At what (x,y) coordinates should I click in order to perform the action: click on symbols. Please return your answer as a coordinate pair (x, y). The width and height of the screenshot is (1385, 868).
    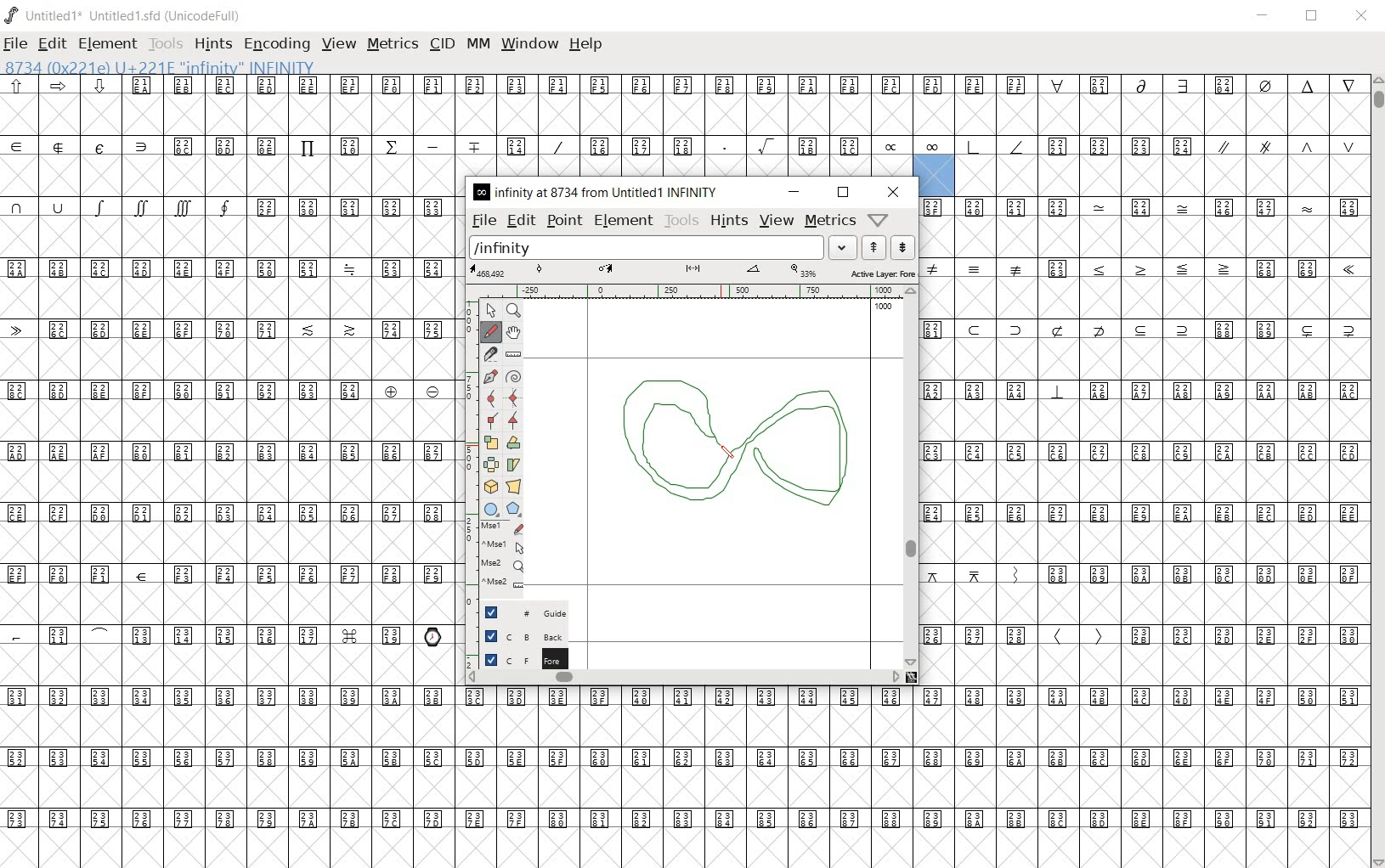
    Looking at the image, I should click on (979, 268).